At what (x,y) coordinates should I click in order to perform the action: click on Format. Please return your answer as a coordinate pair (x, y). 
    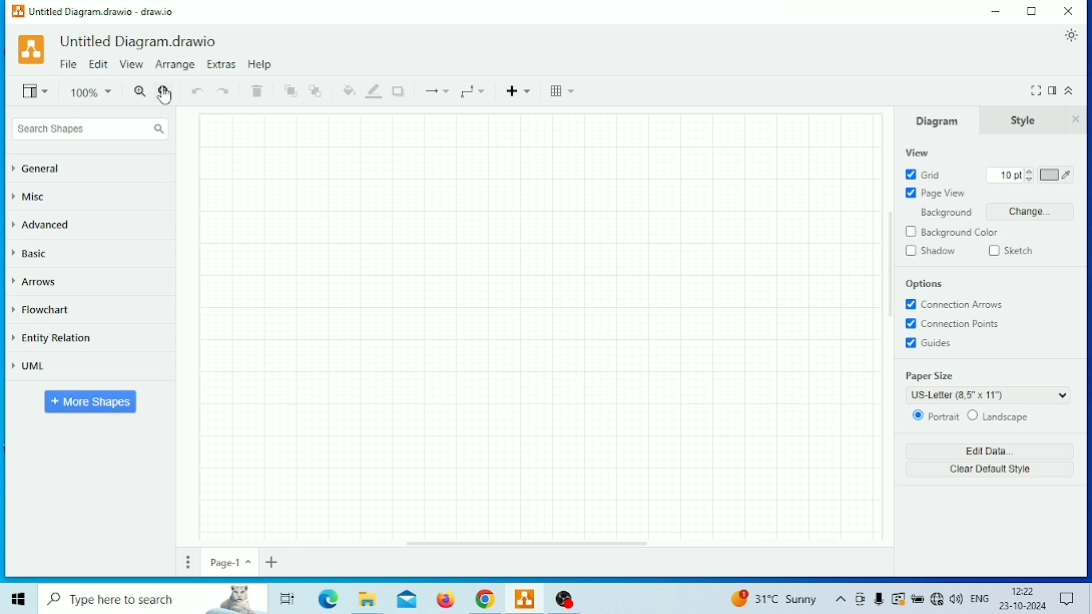
    Looking at the image, I should click on (1052, 88).